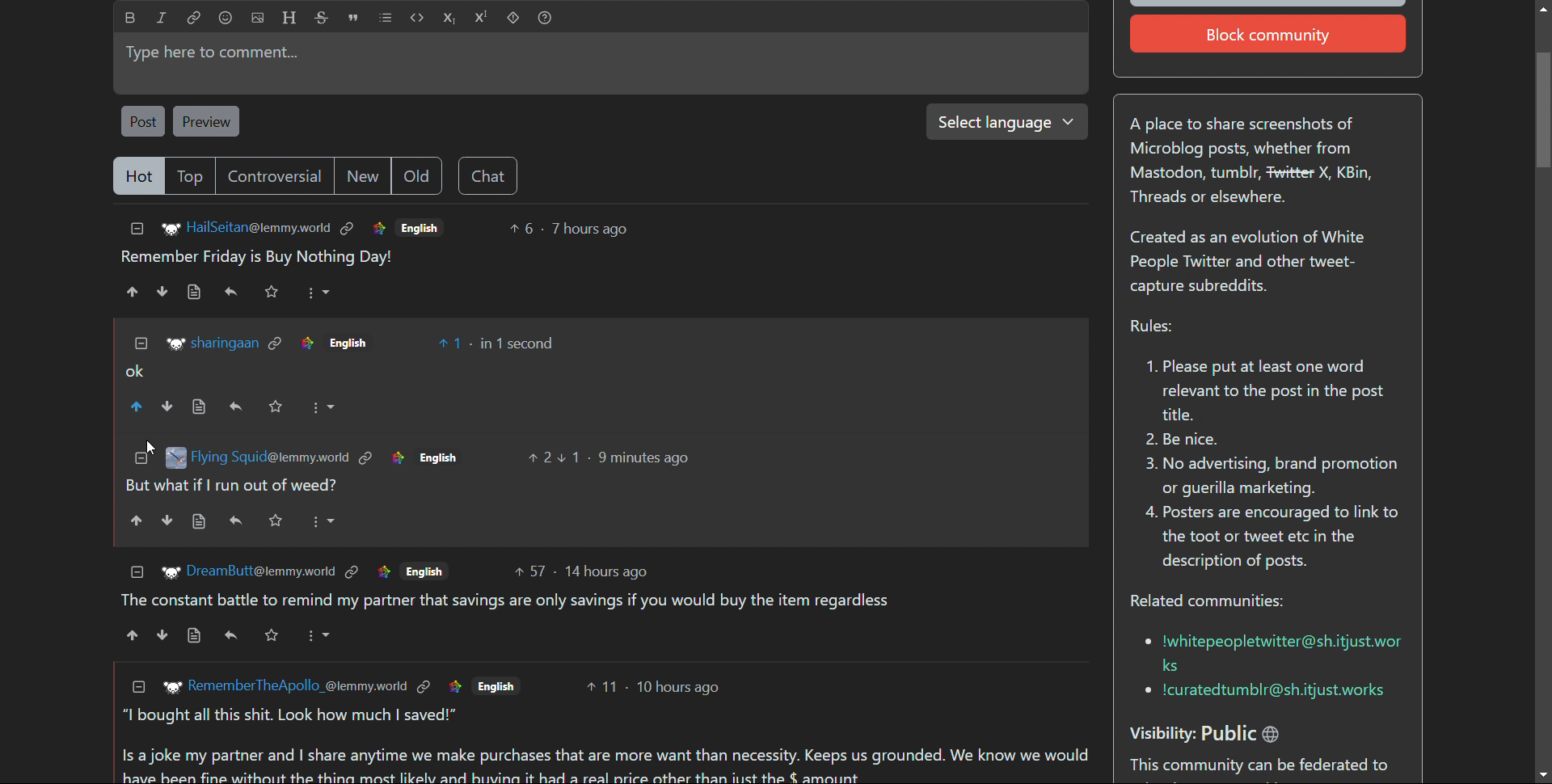 The height and width of the screenshot is (784, 1552). What do you see at coordinates (482, 17) in the screenshot?
I see `superscript` at bounding box center [482, 17].